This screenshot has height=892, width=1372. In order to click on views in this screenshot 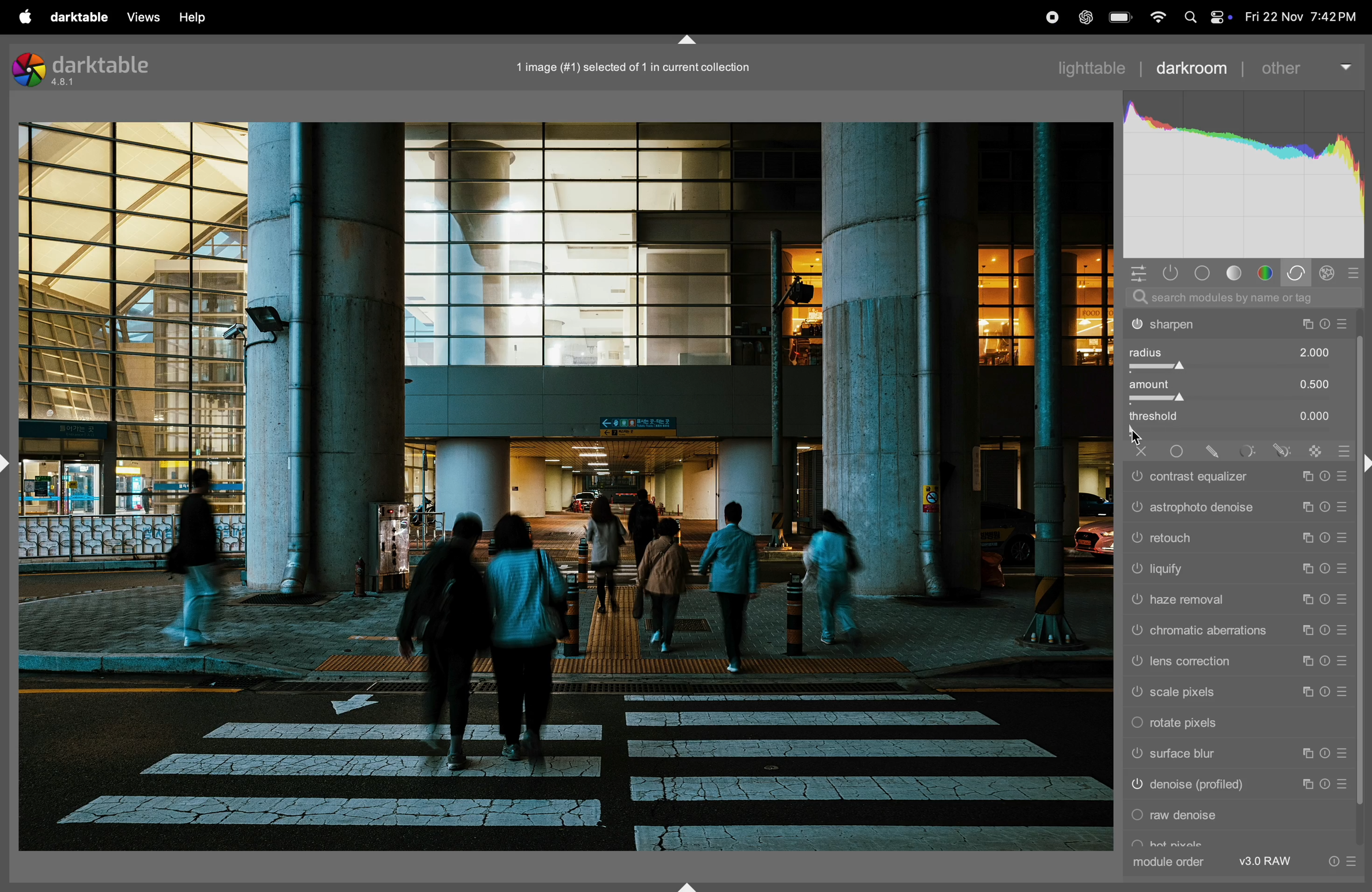, I will do `click(144, 17)`.